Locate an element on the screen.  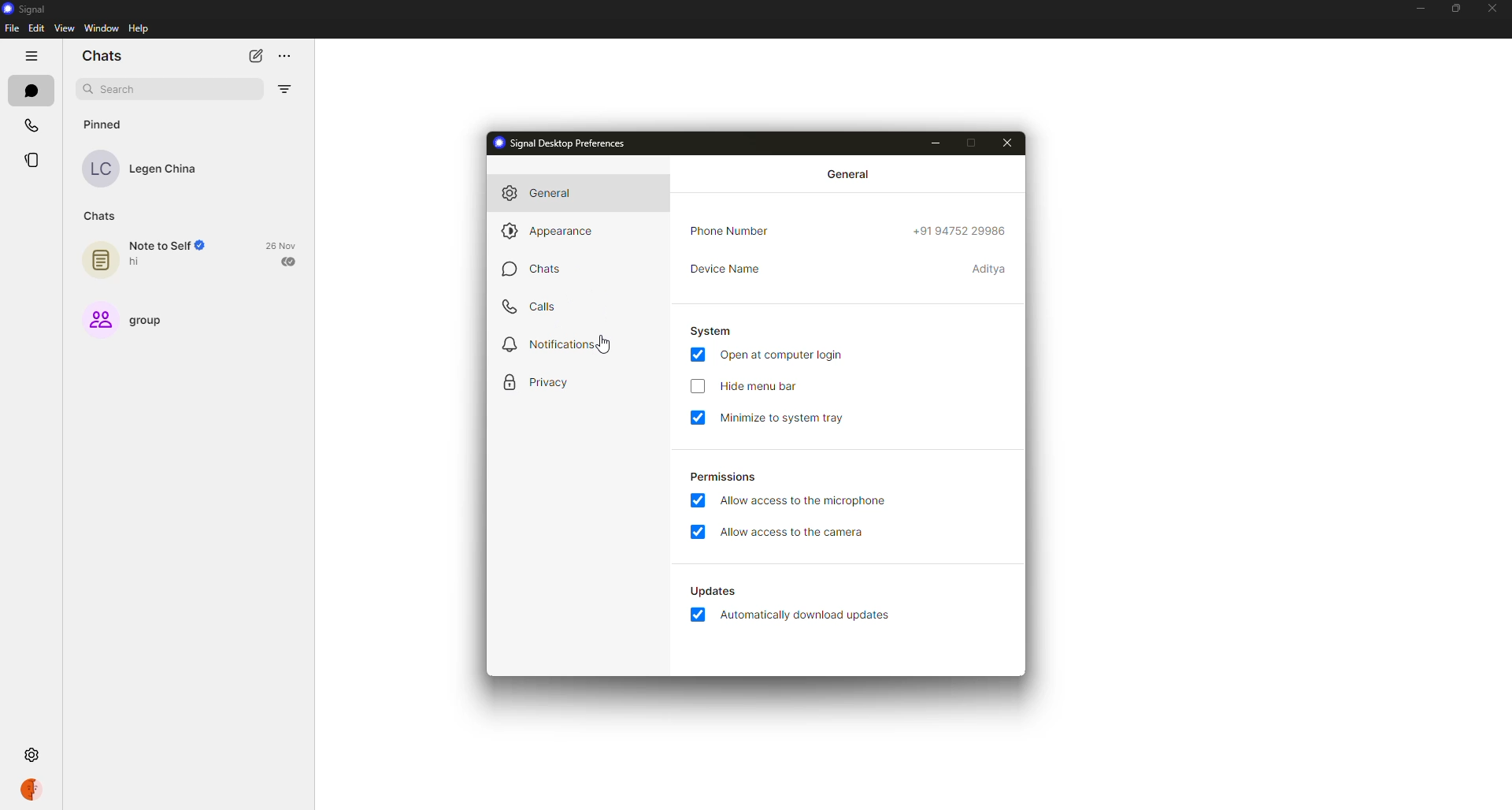
maximize is located at coordinates (1458, 6).